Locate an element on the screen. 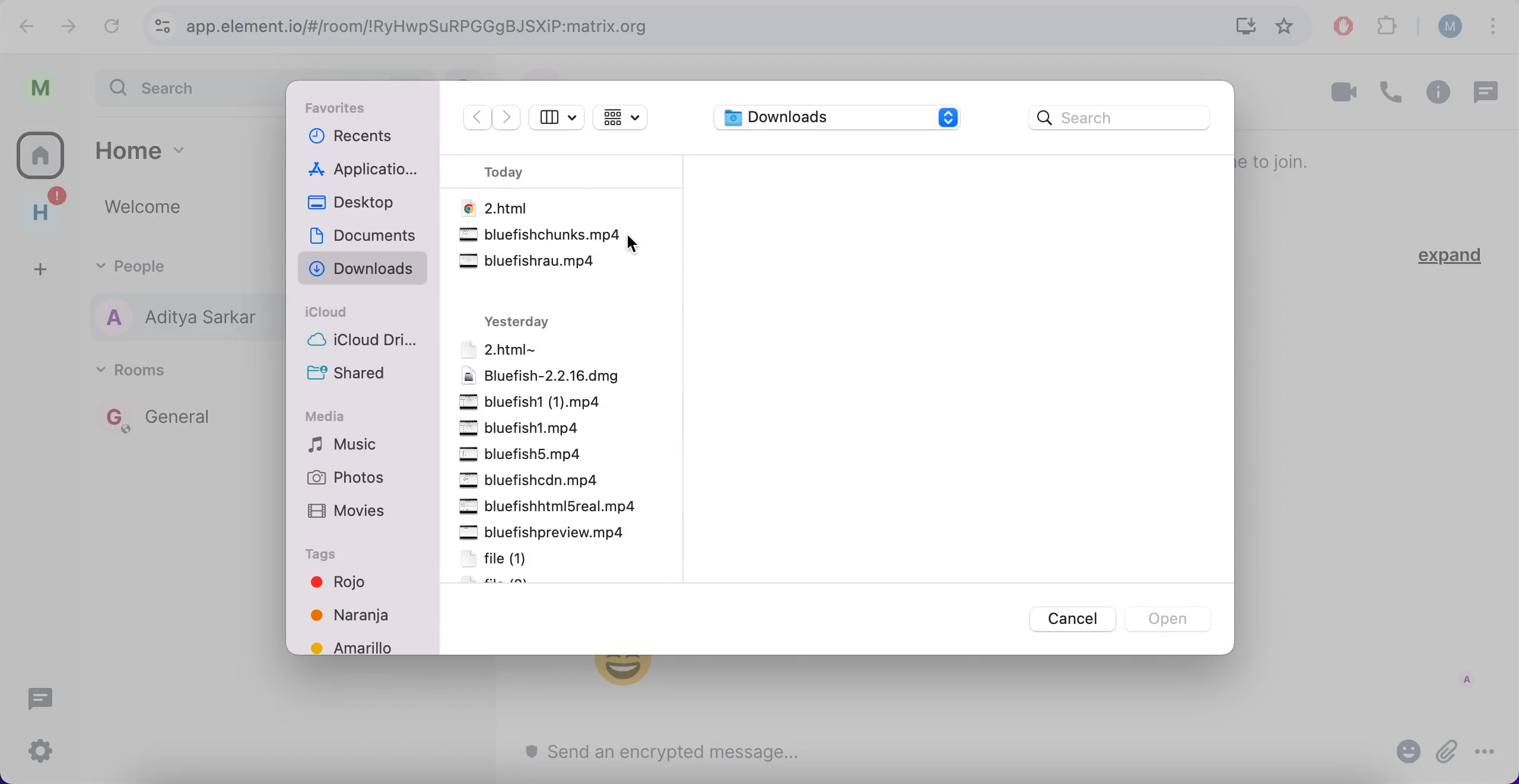  information is located at coordinates (1437, 92).